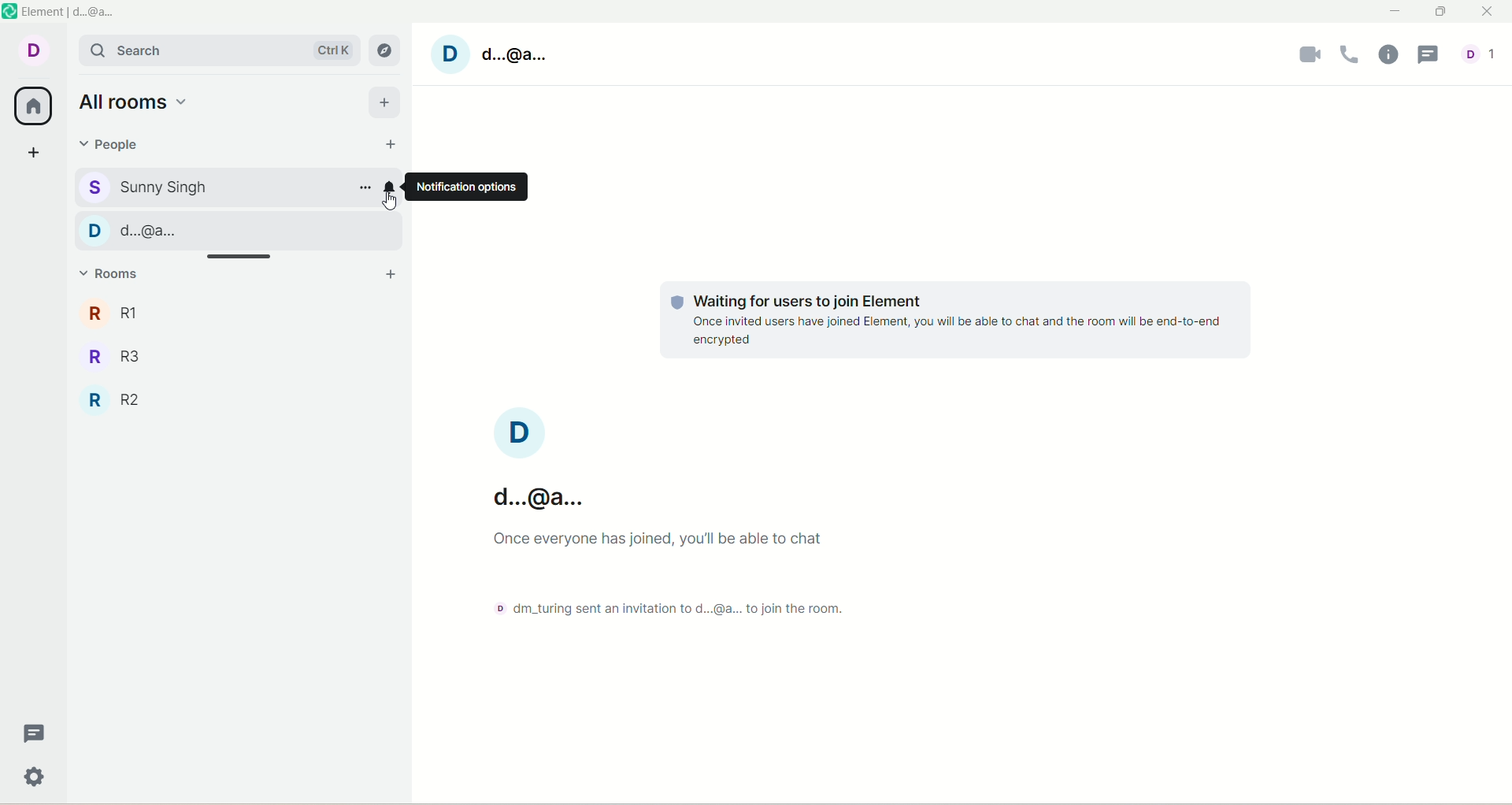 The height and width of the screenshot is (805, 1512). Describe the element at coordinates (365, 188) in the screenshot. I see `options` at that location.